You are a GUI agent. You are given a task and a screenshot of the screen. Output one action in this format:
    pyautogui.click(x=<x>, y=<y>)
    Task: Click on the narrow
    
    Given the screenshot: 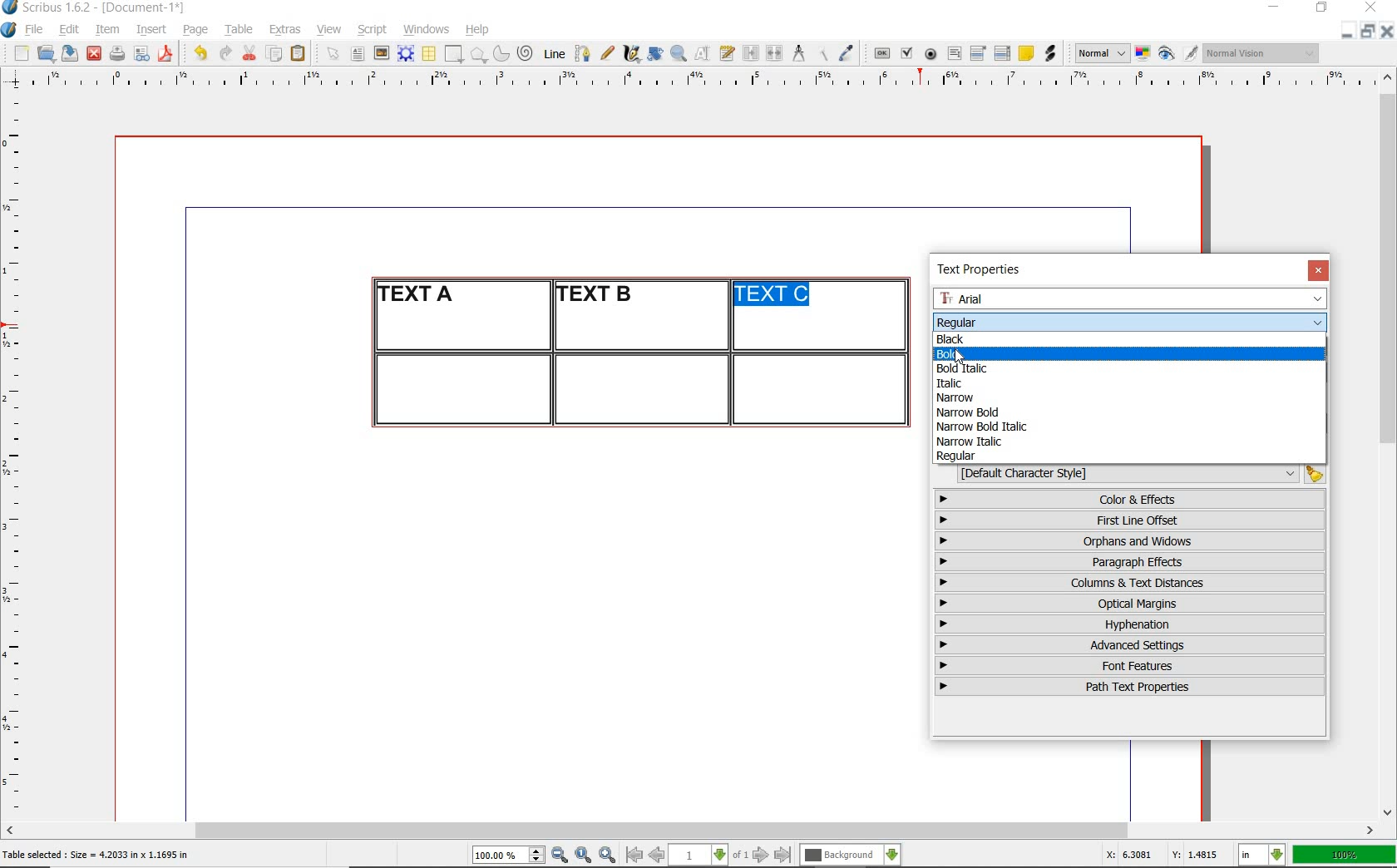 What is the action you would take?
    pyautogui.click(x=962, y=398)
    